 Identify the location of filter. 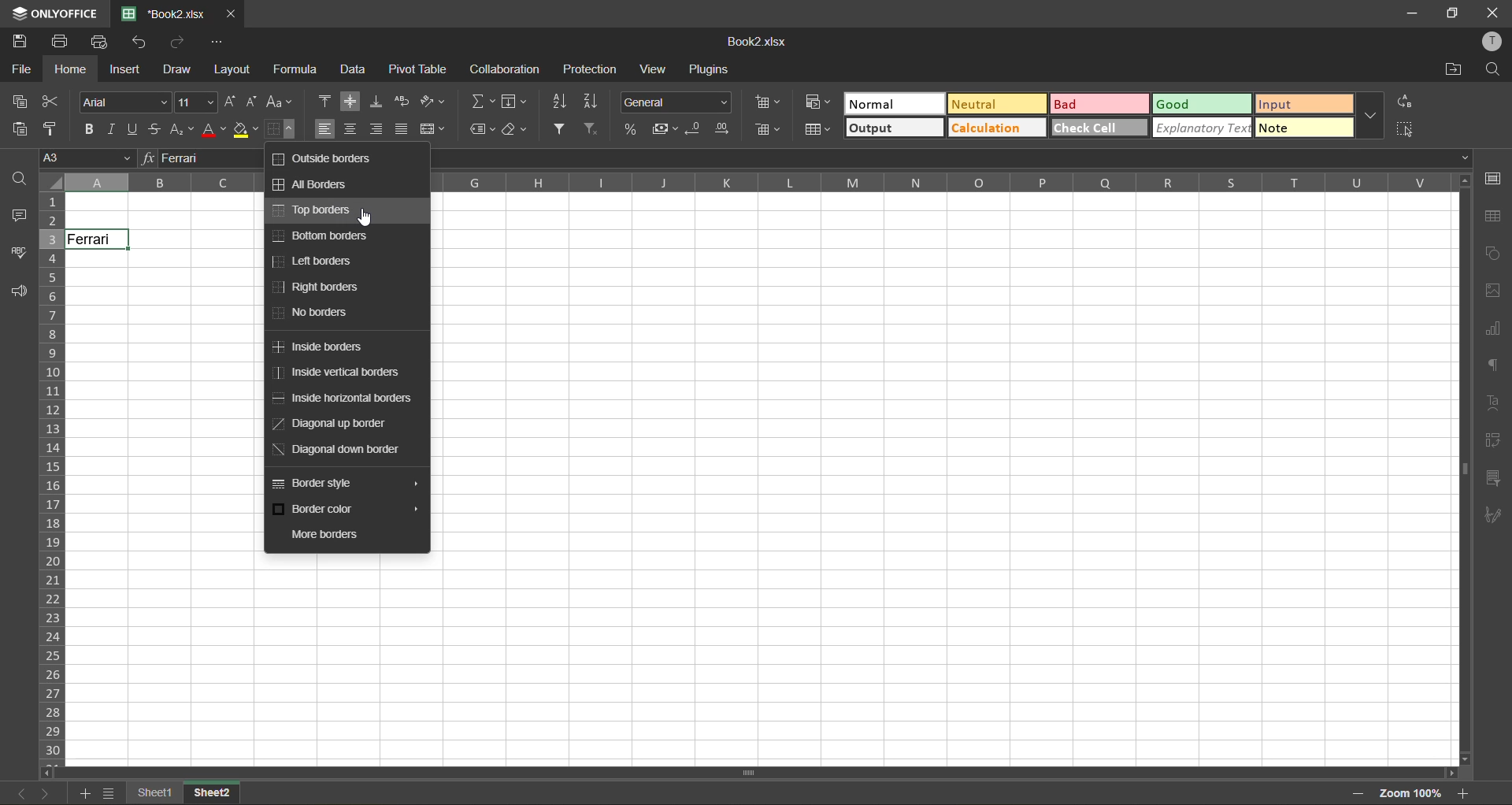
(560, 128).